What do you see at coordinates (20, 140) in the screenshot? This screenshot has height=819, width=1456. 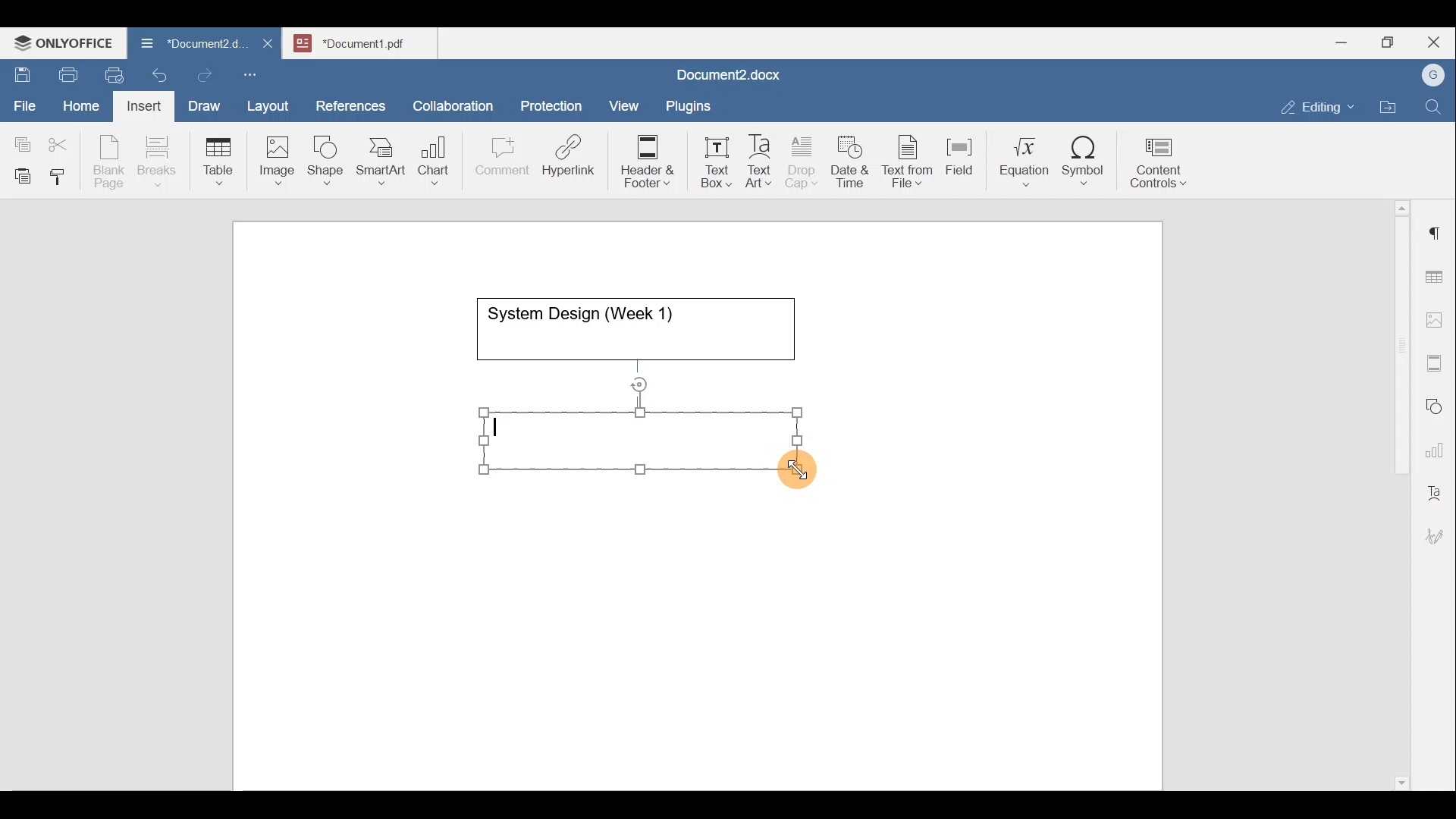 I see `Copy` at bounding box center [20, 140].